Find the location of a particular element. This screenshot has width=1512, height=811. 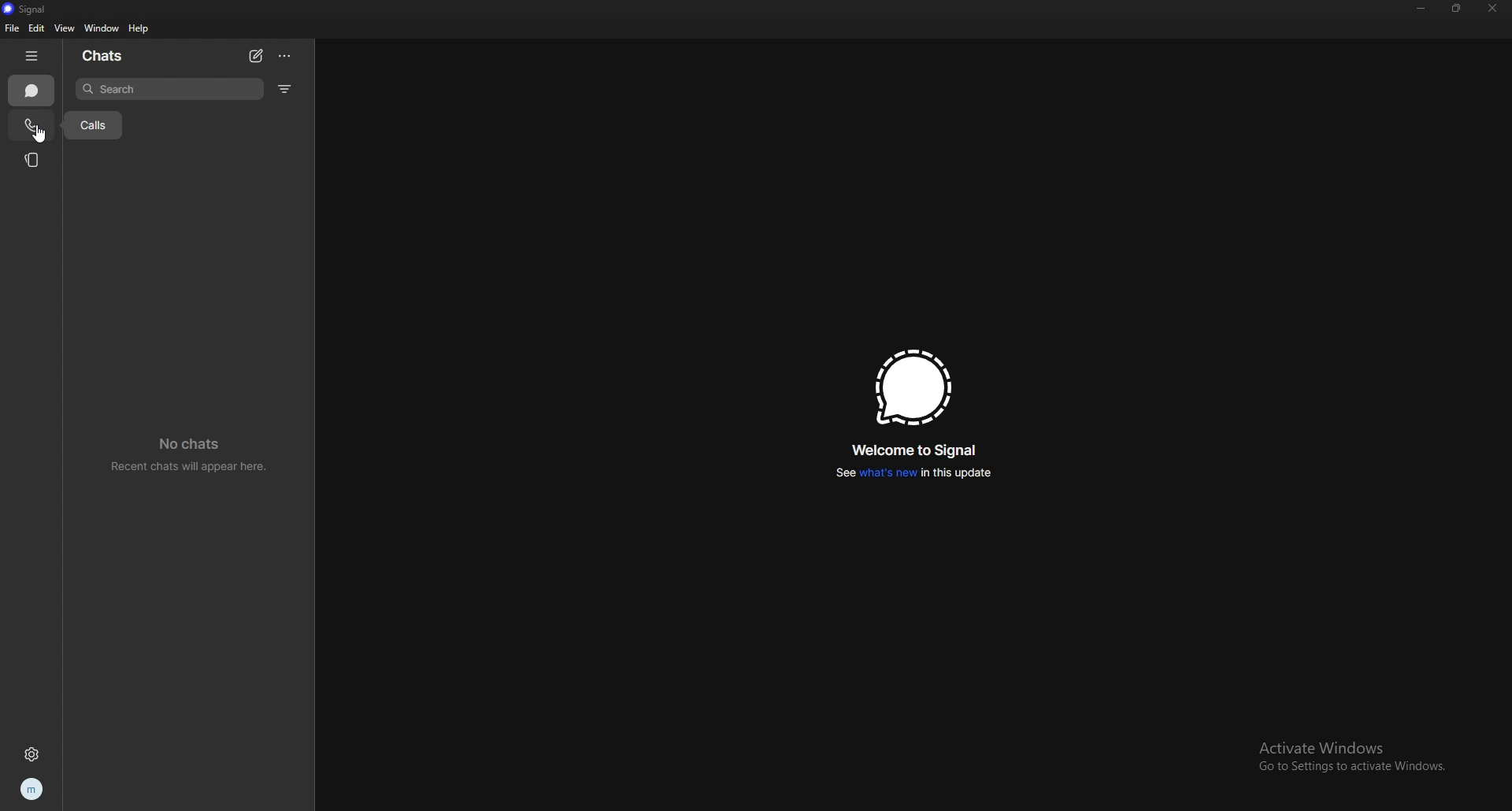

chats is located at coordinates (32, 91).